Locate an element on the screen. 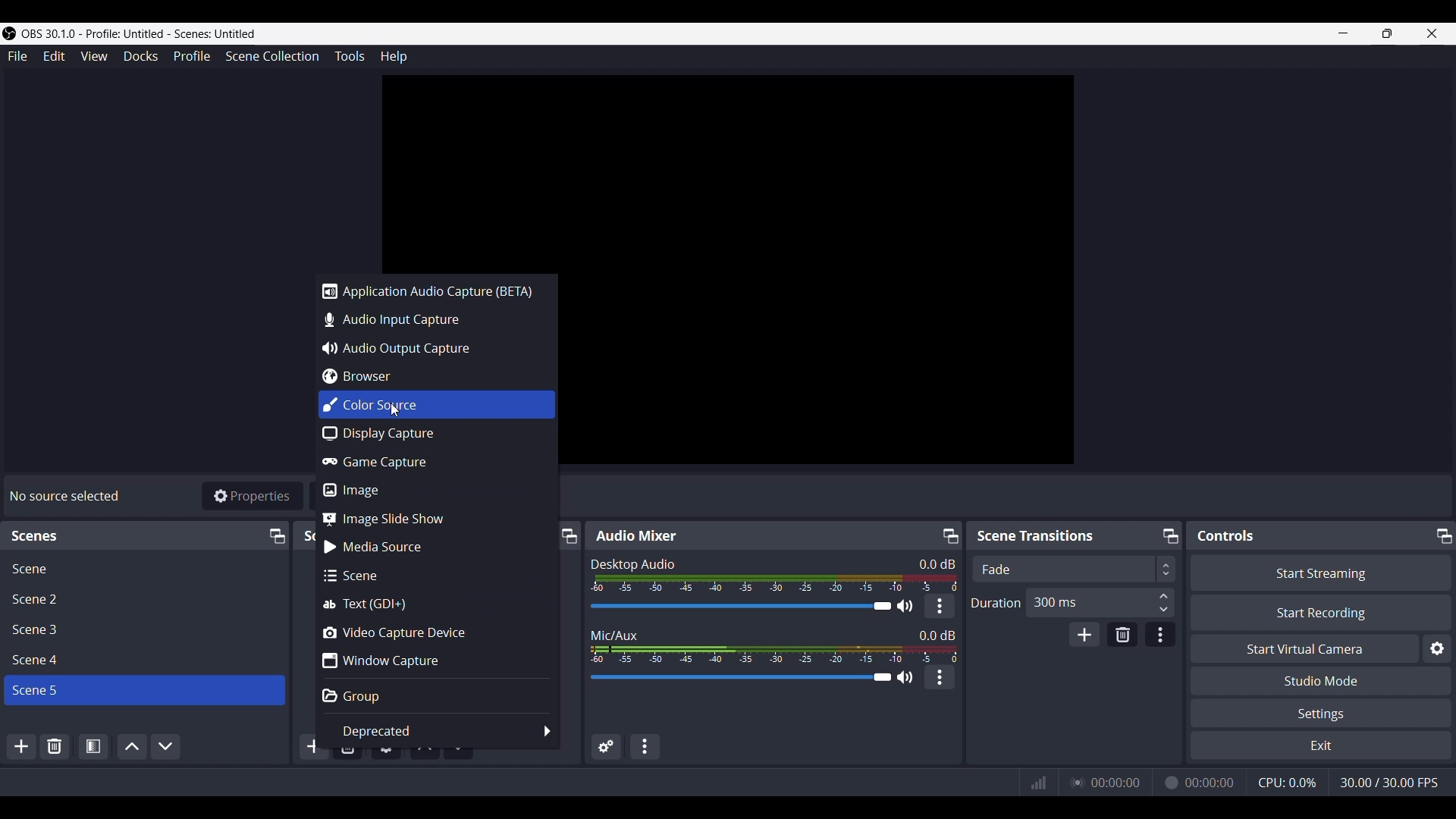  Scene is located at coordinates (436, 576).